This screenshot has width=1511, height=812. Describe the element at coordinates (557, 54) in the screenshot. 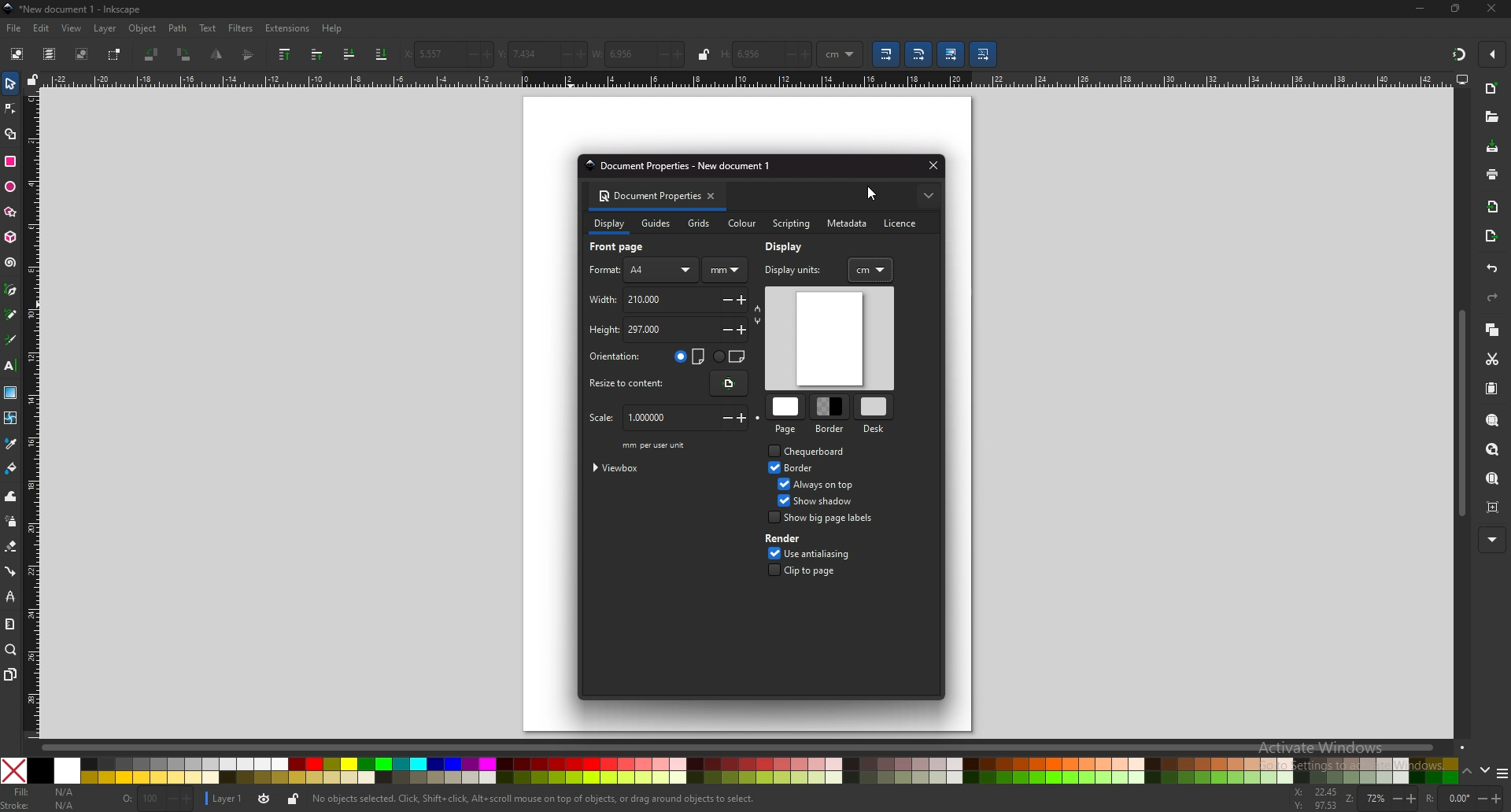

I see `-` at that location.